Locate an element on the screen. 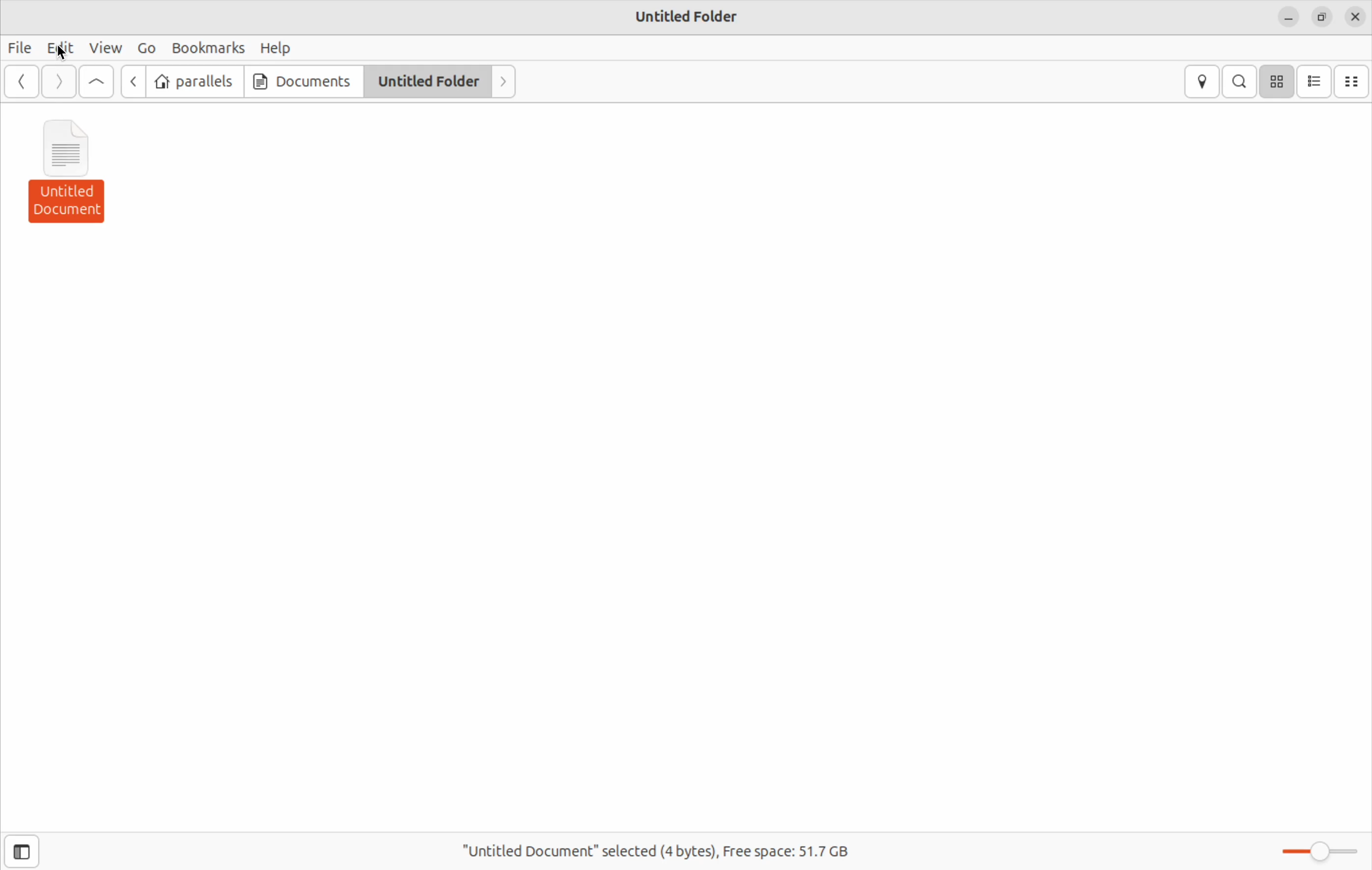 This screenshot has height=870, width=1372. Forward is located at coordinates (59, 82).